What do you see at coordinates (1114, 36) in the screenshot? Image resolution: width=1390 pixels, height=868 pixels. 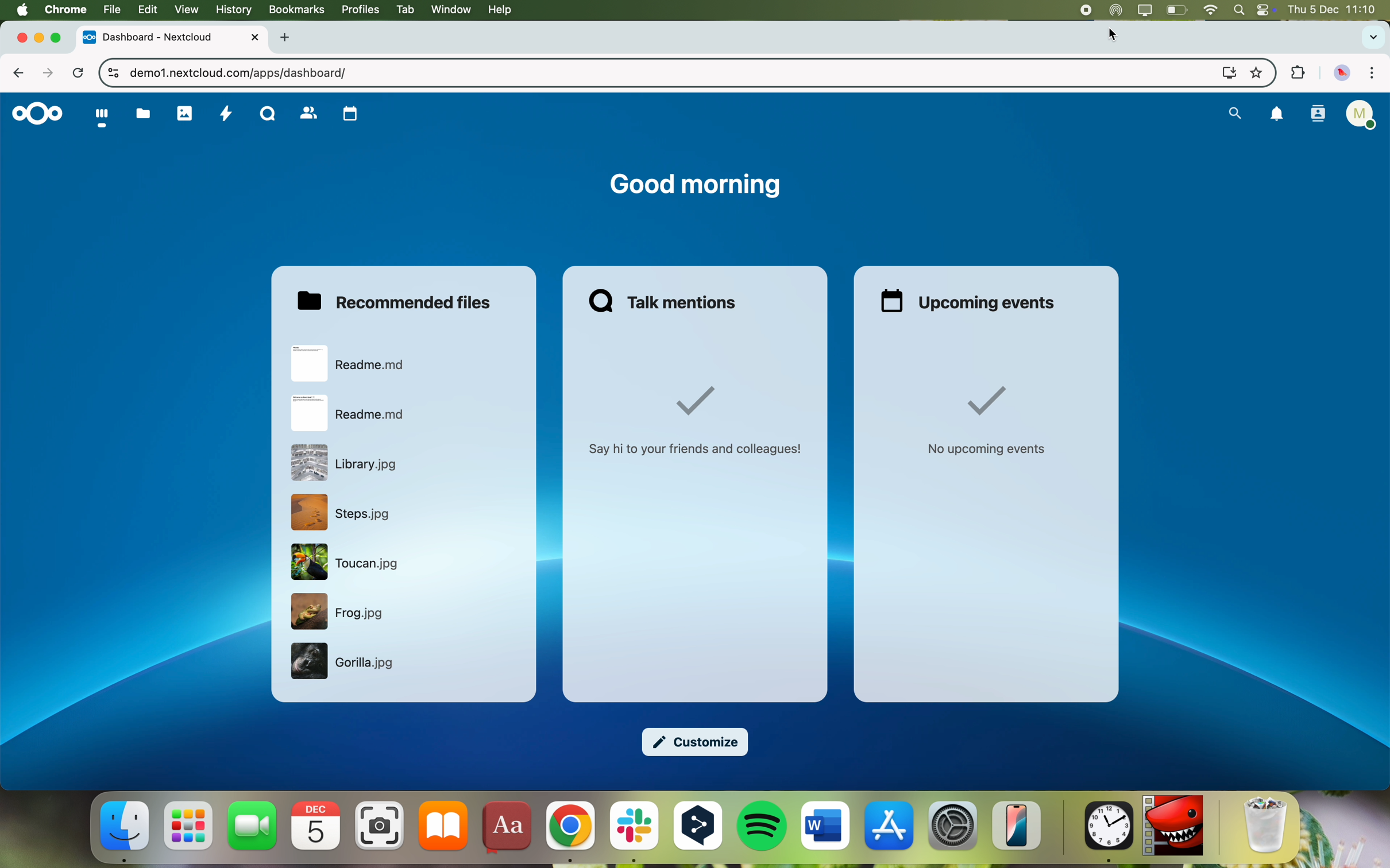 I see `mouse` at bounding box center [1114, 36].